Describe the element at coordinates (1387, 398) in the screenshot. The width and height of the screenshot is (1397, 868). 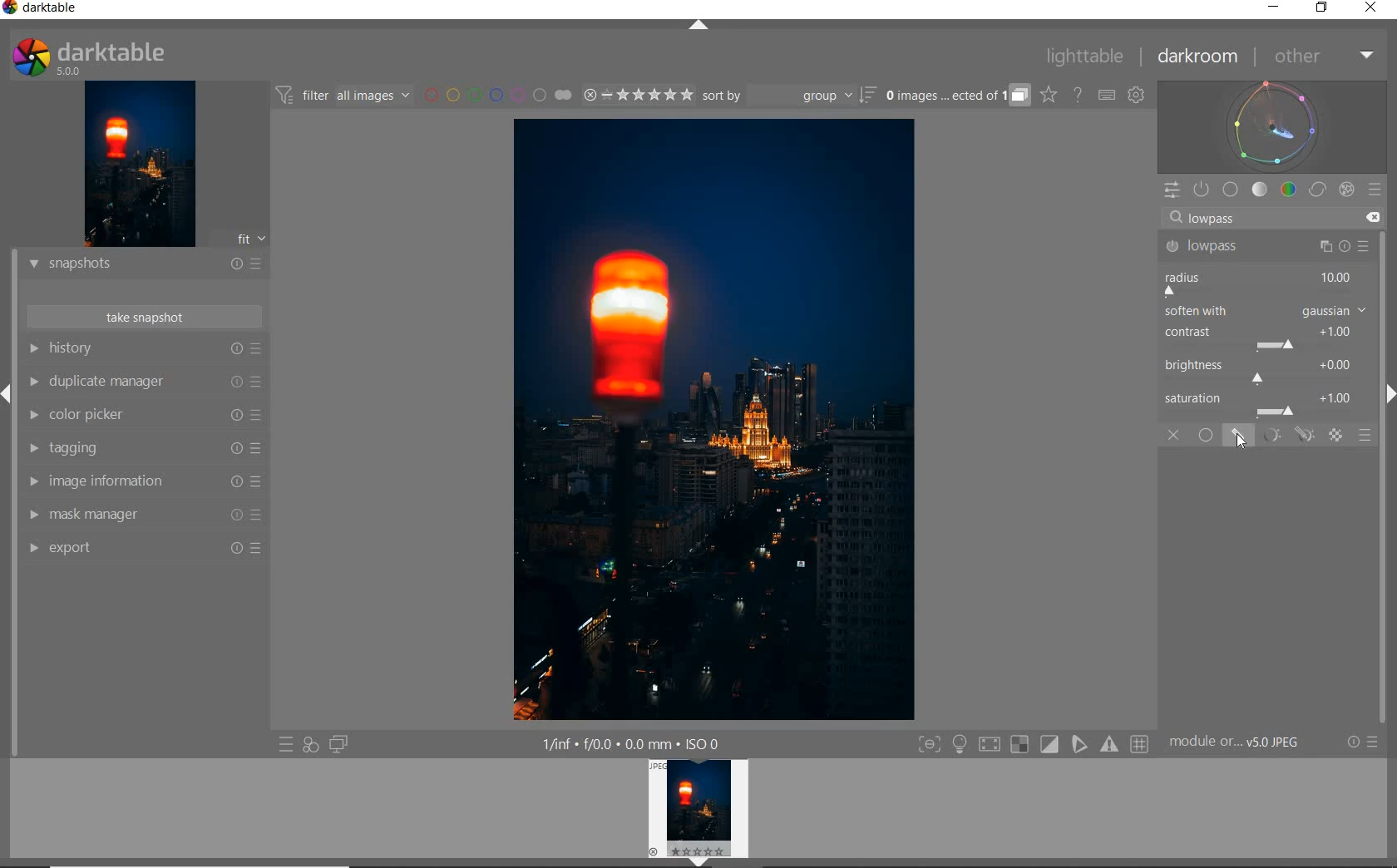
I see `expand/collapse` at that location.